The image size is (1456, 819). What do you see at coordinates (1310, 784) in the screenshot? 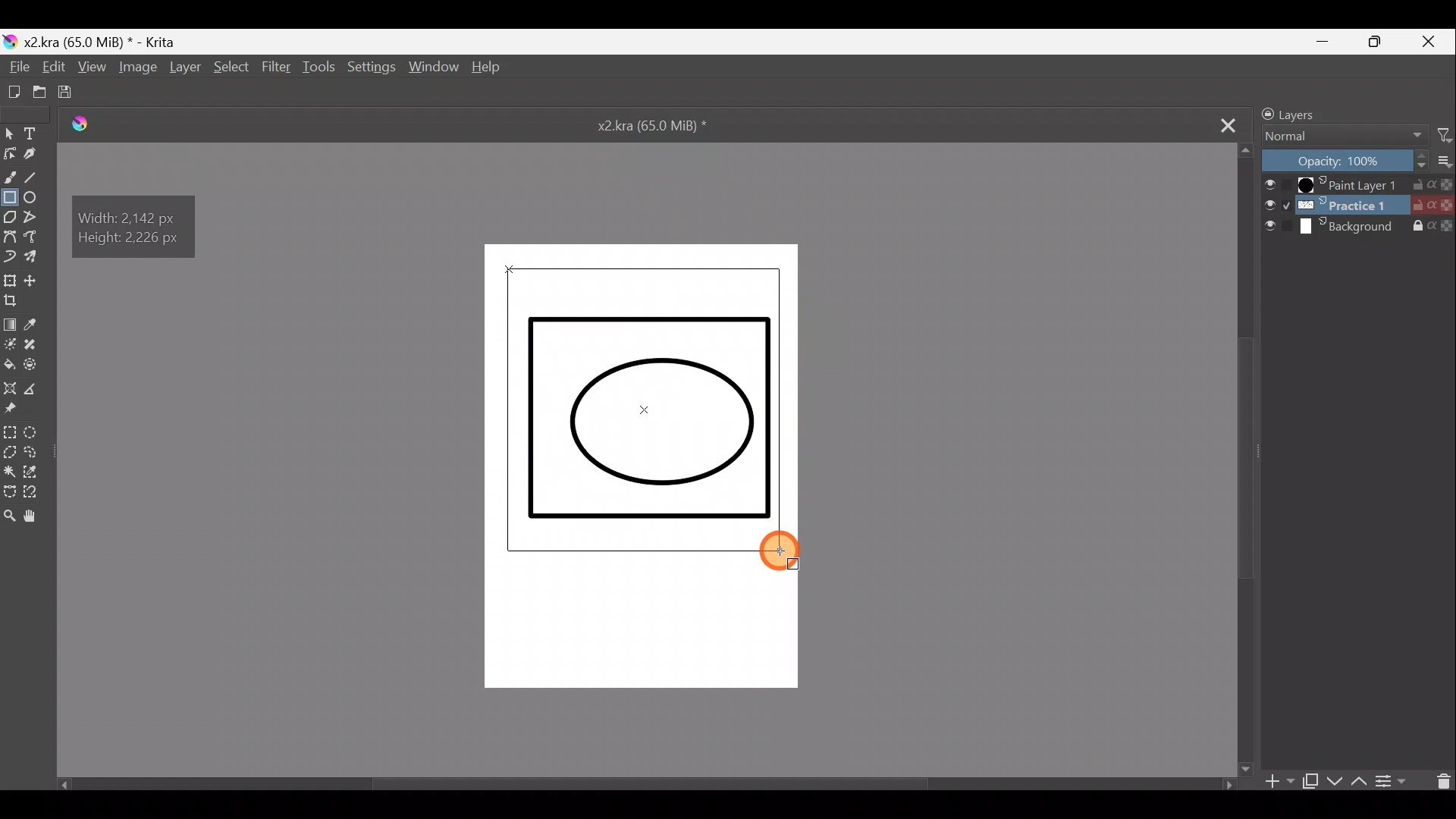
I see `Duplicate layer` at bounding box center [1310, 784].